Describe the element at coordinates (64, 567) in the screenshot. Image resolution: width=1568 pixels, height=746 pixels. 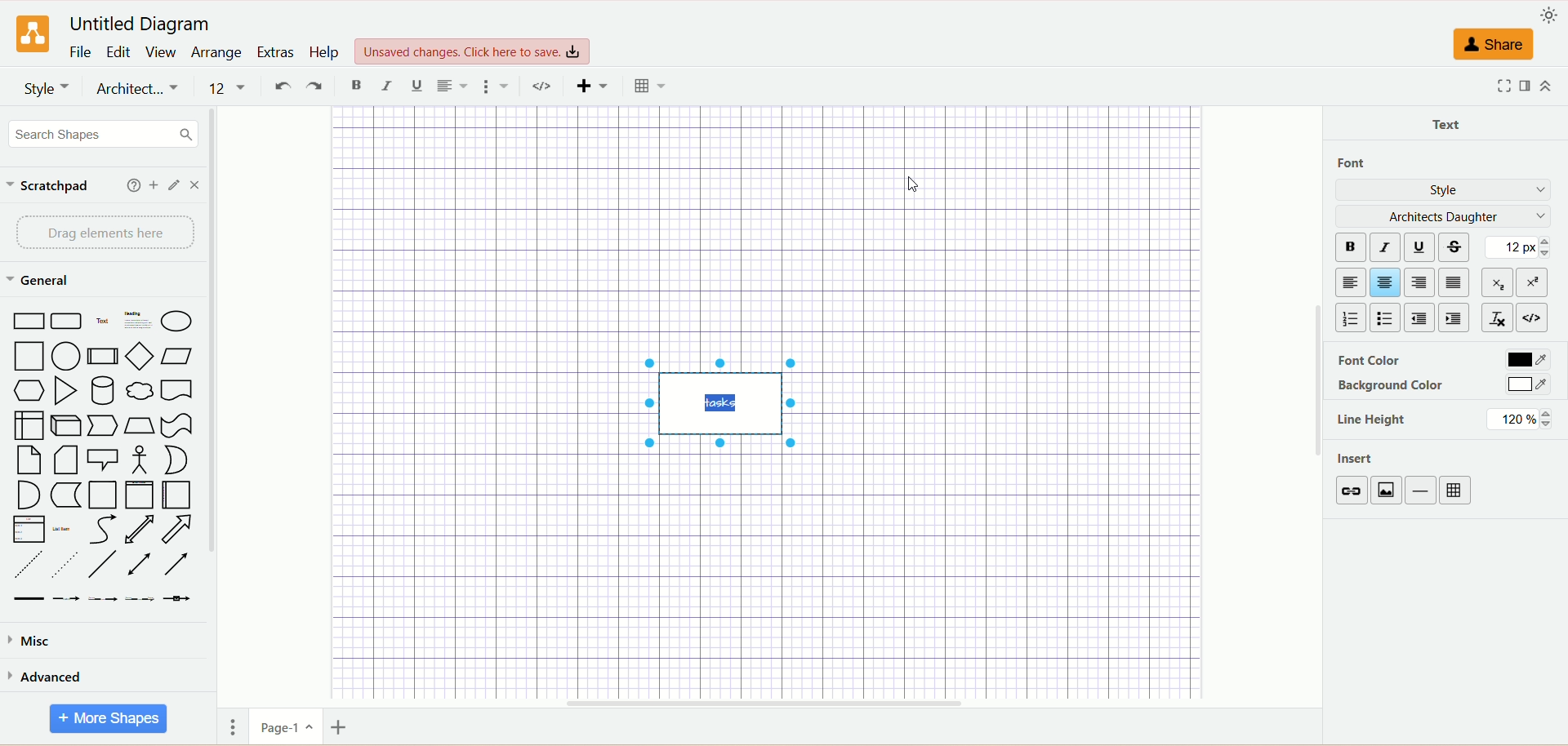
I see `Sparsely Dotted Line` at that location.